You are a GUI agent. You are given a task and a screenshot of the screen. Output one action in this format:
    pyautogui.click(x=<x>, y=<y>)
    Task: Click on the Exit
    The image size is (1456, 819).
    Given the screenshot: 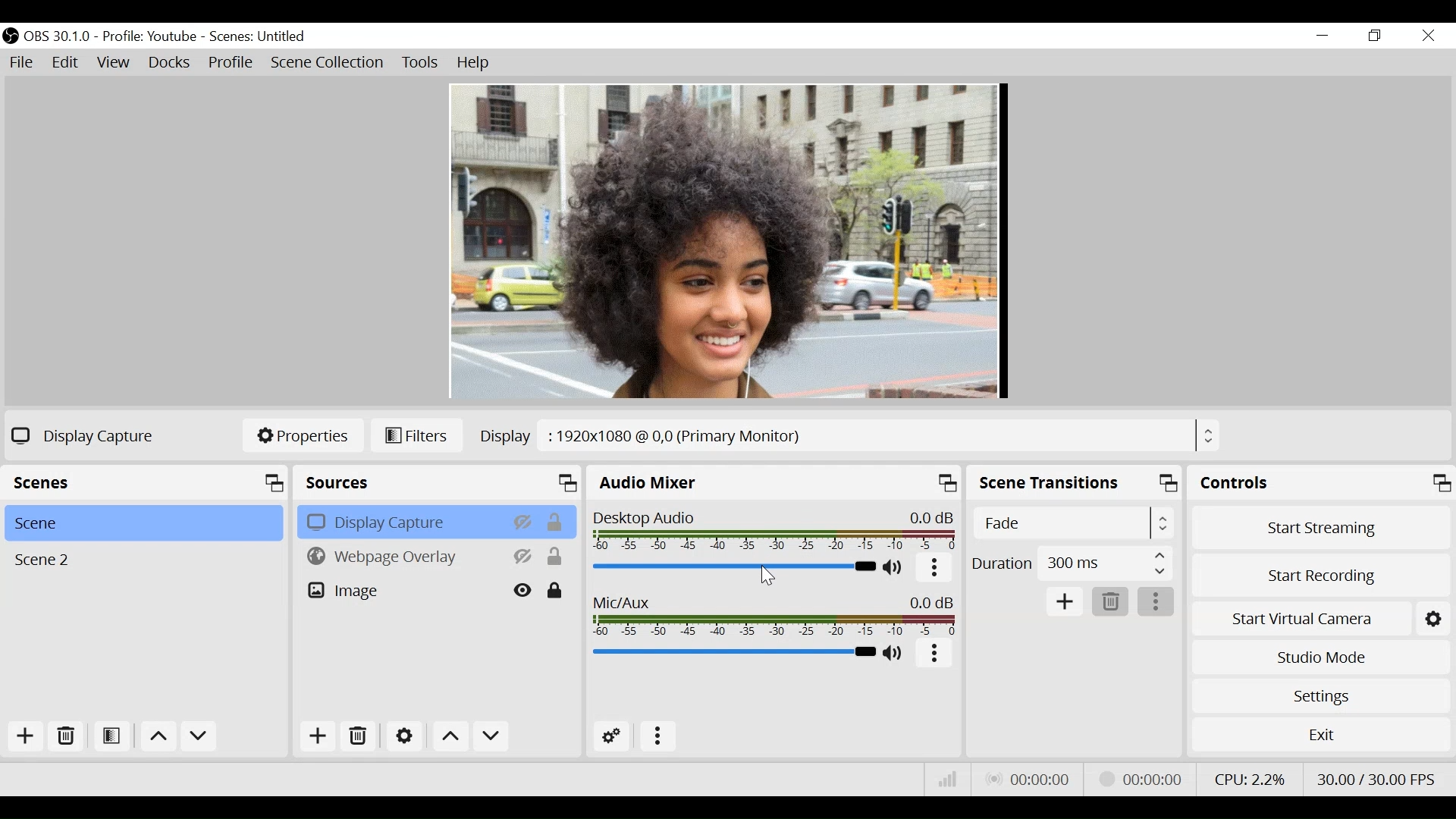 What is the action you would take?
    pyautogui.click(x=1321, y=734)
    